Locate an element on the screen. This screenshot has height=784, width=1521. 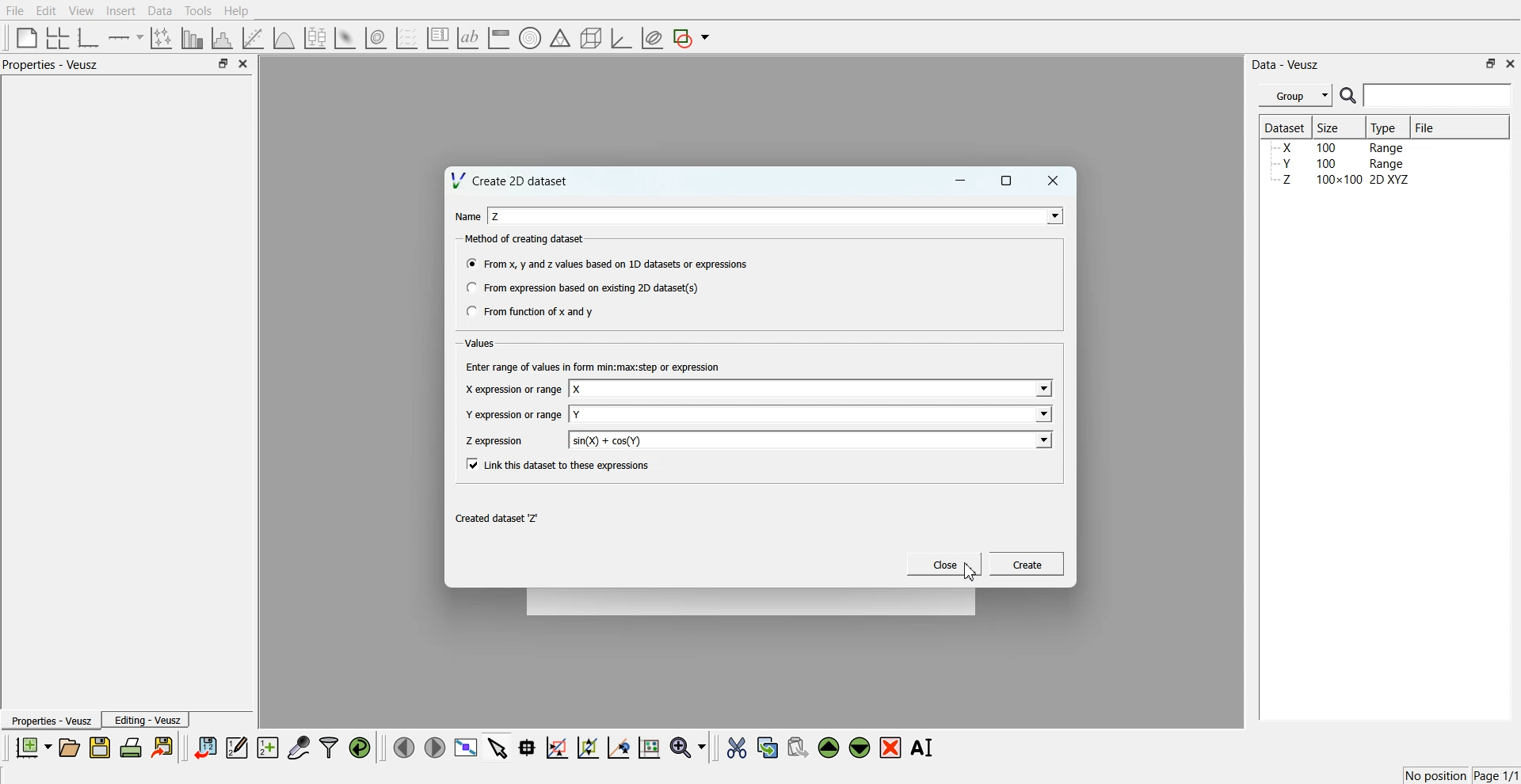
Create new dataset for ranging is located at coordinates (267, 748).